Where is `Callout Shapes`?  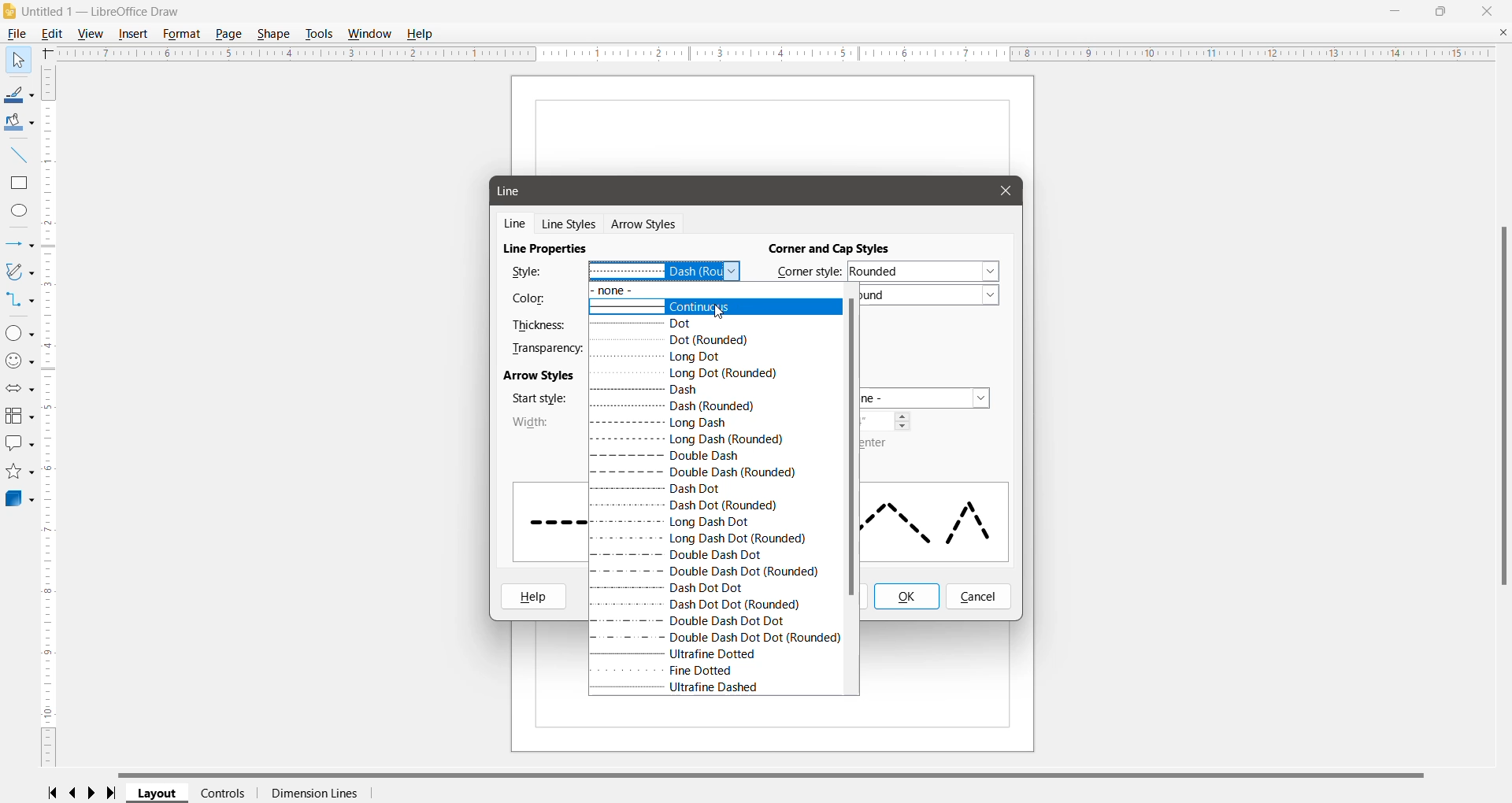 Callout Shapes is located at coordinates (20, 443).